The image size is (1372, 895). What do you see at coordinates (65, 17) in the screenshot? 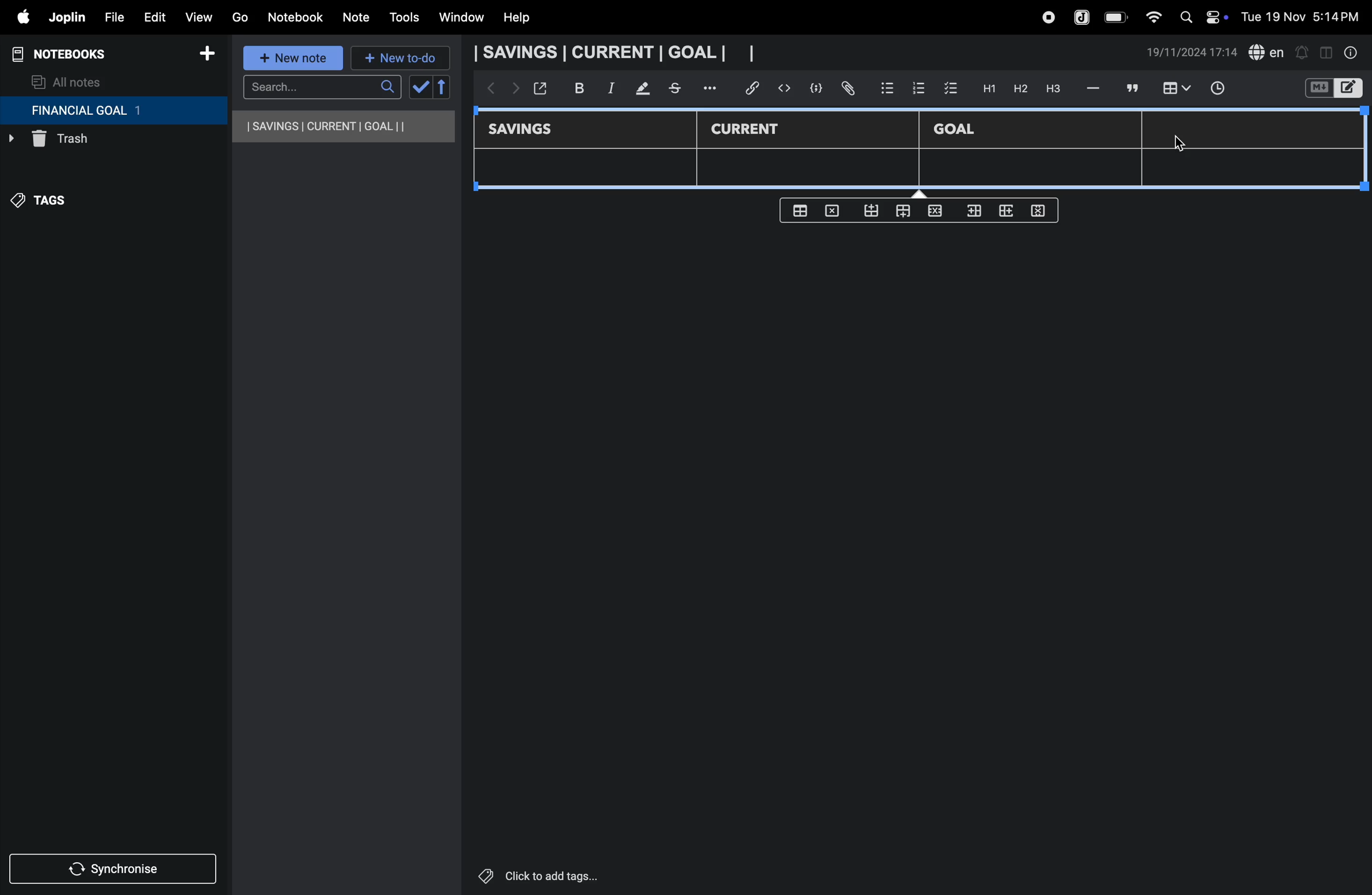
I see `joplin menu` at bounding box center [65, 17].